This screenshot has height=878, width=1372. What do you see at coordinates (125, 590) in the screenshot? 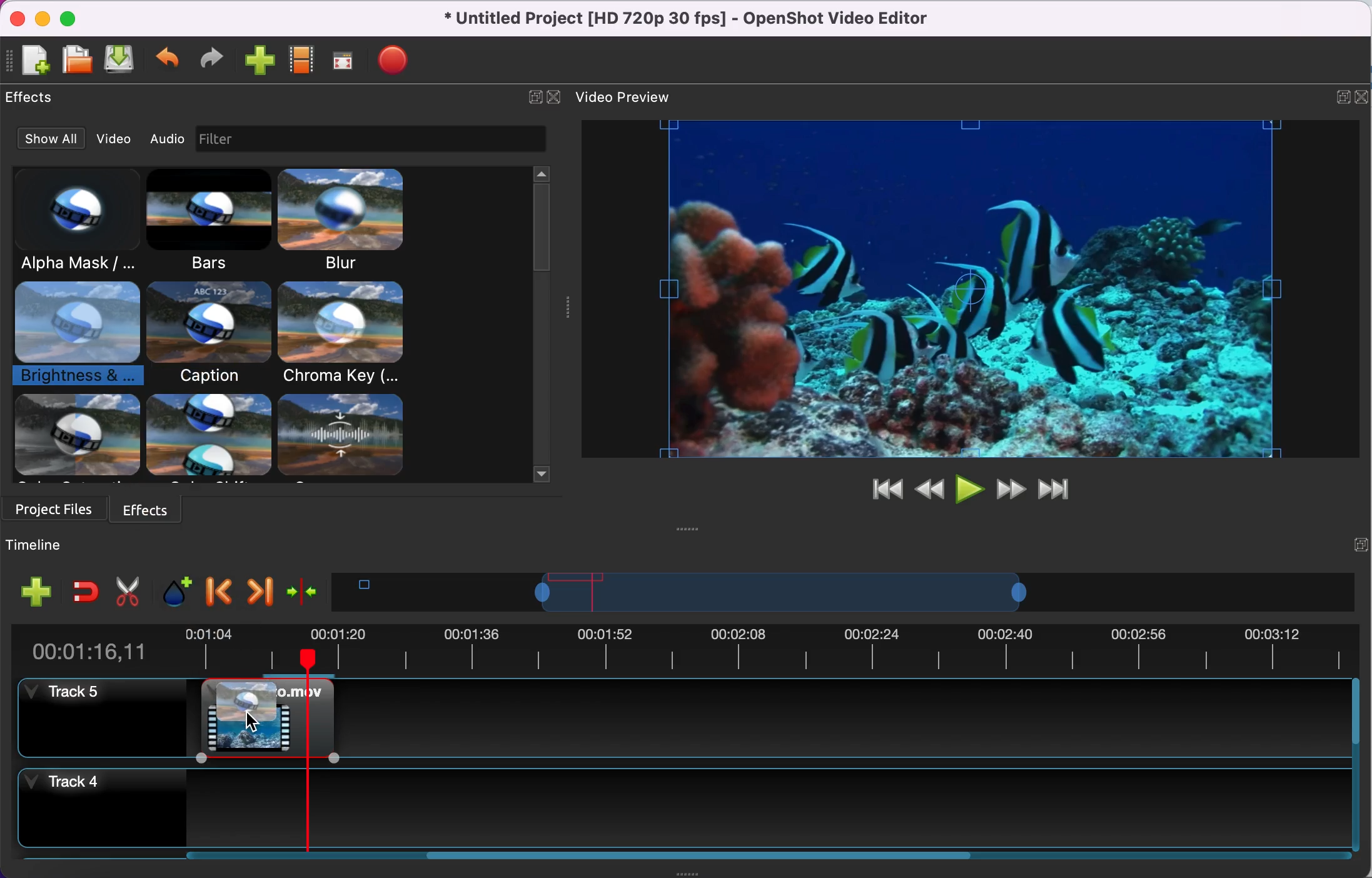
I see `cut` at bounding box center [125, 590].